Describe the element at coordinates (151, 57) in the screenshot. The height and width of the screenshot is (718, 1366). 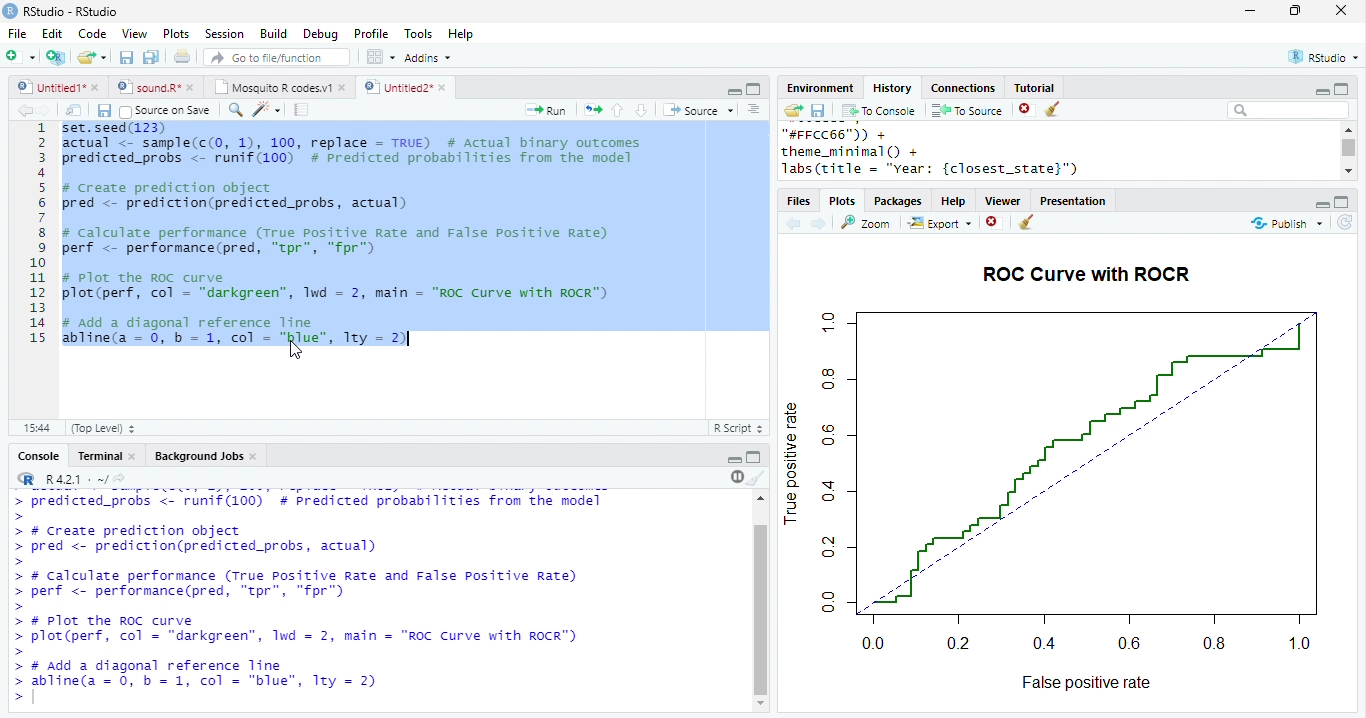
I see `save all` at that location.